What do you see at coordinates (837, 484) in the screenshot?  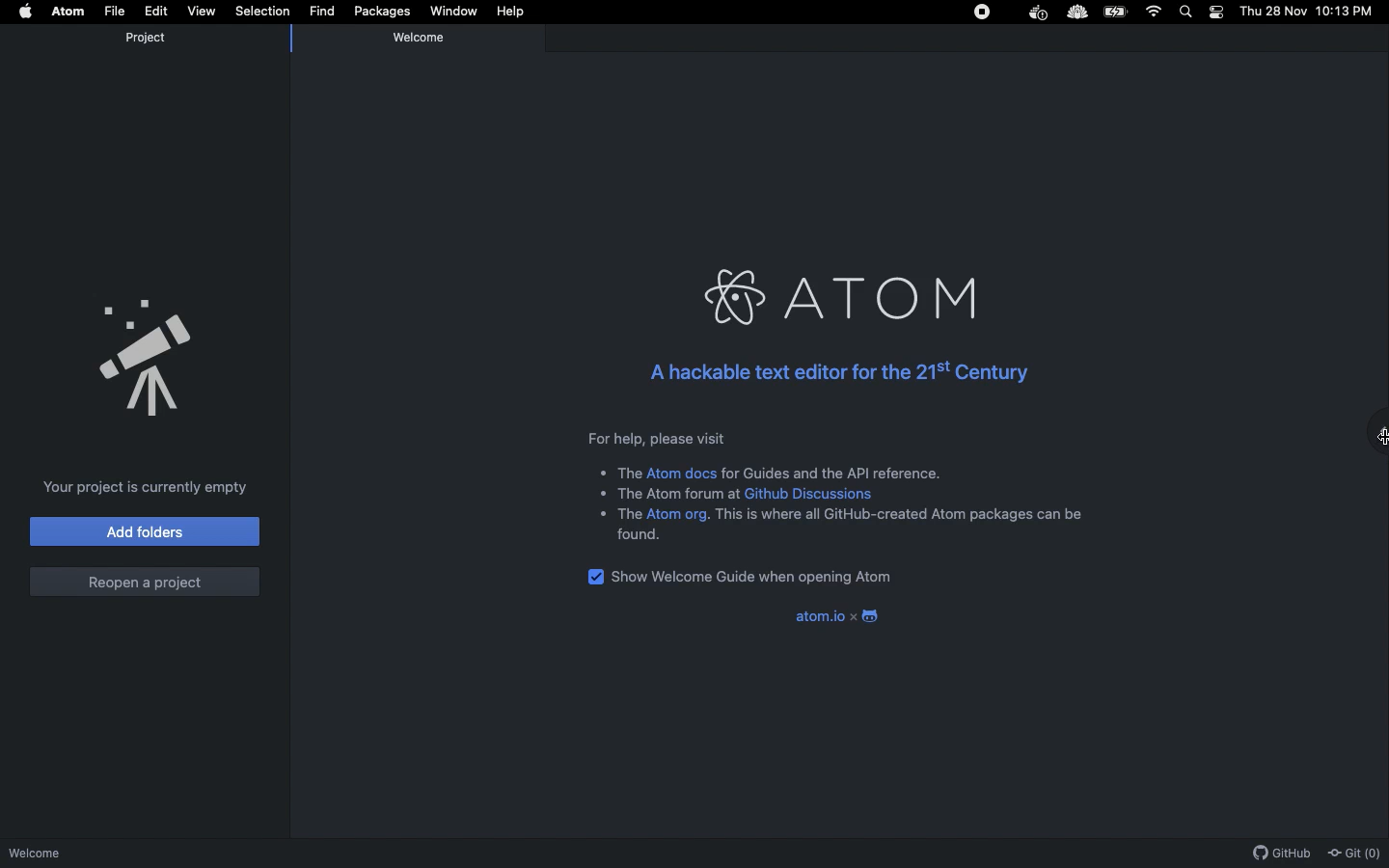 I see `For help, please visit
+ The Atom docs for Guides and the API reference.
« The Atom forum at Github Discussions
+ The Atom org. This is where all GitHub-created Atom packages can be
found.` at bounding box center [837, 484].